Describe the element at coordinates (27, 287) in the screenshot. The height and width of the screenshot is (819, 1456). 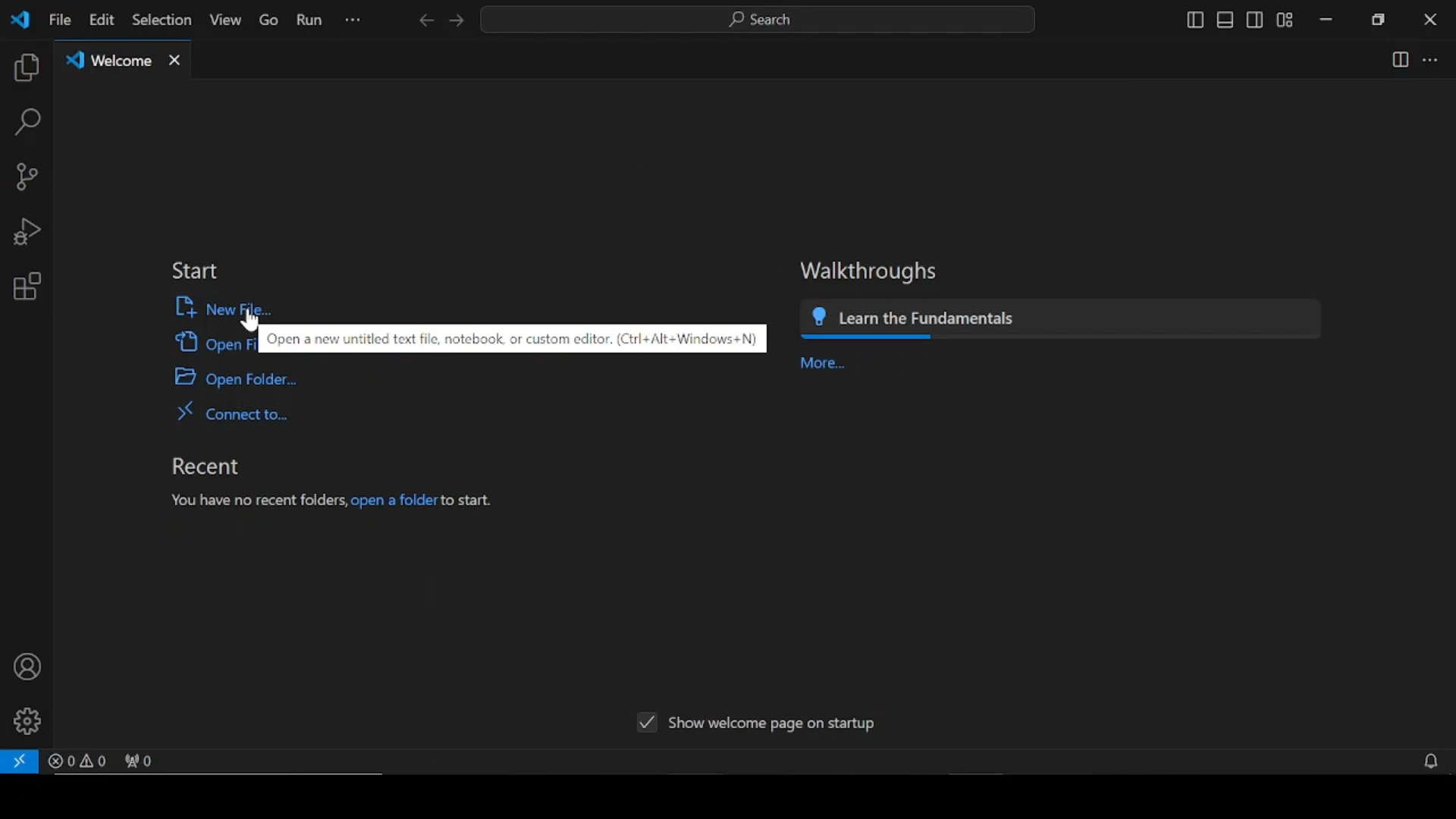
I see `extensions` at that location.